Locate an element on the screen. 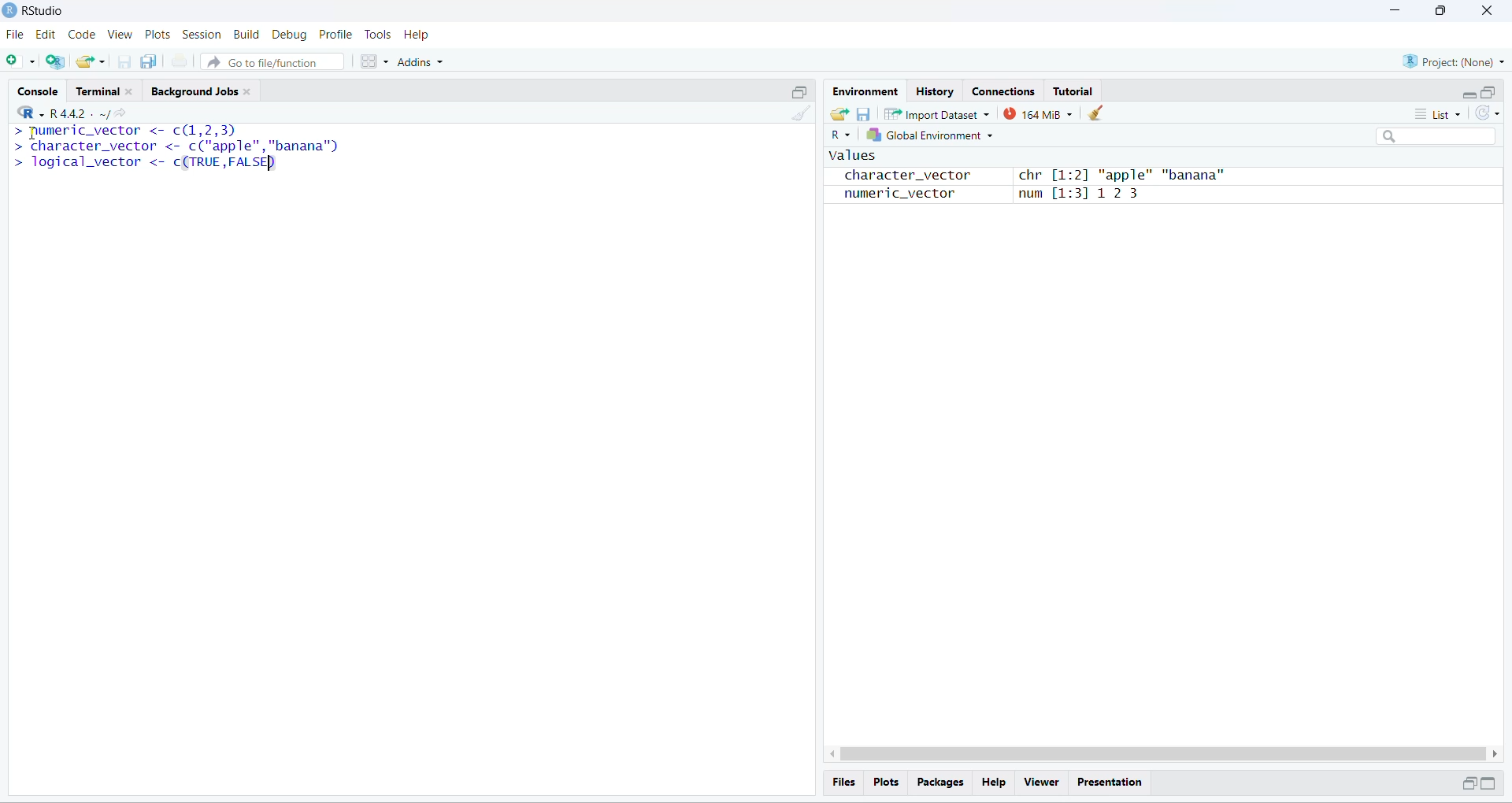  Presentation is located at coordinates (1111, 783).